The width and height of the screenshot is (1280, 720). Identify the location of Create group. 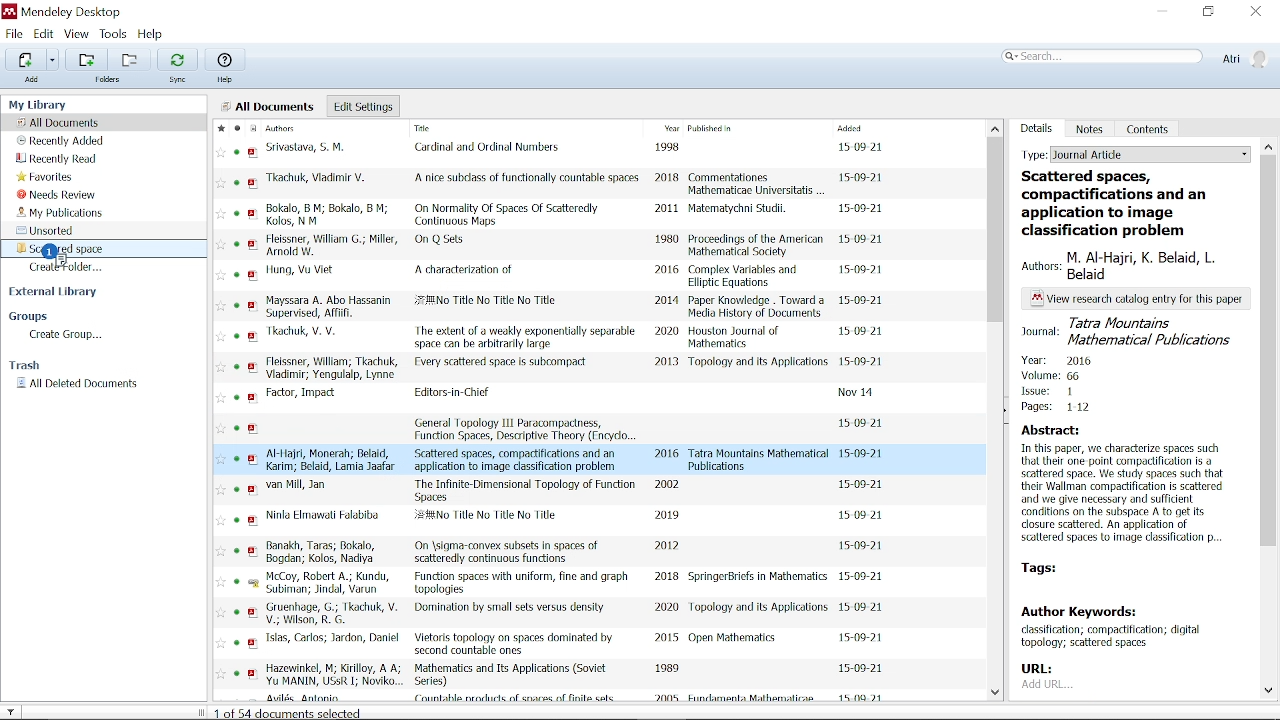
(67, 336).